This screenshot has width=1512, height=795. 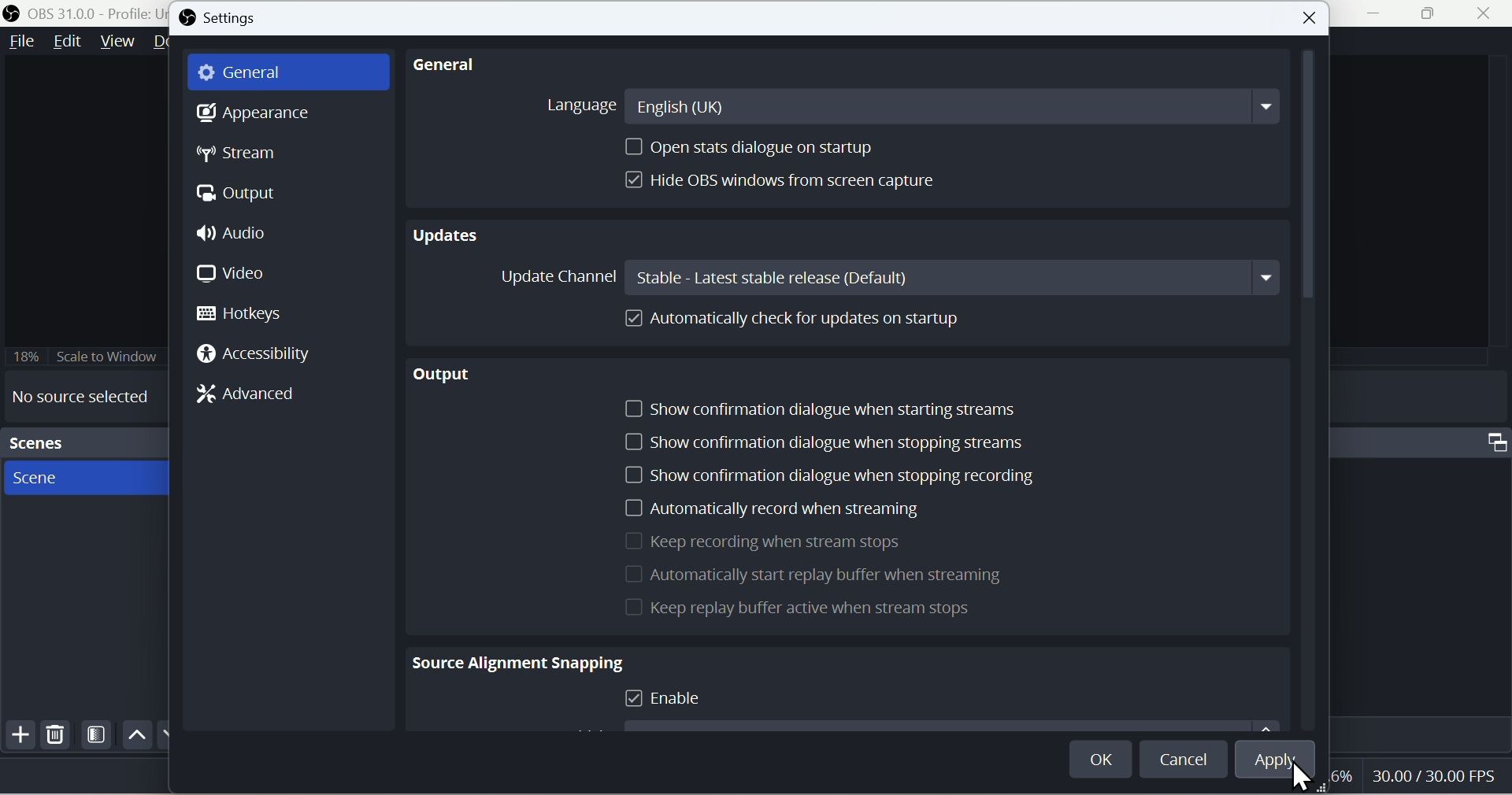 What do you see at coordinates (83, 440) in the screenshot?
I see `Scenes` at bounding box center [83, 440].